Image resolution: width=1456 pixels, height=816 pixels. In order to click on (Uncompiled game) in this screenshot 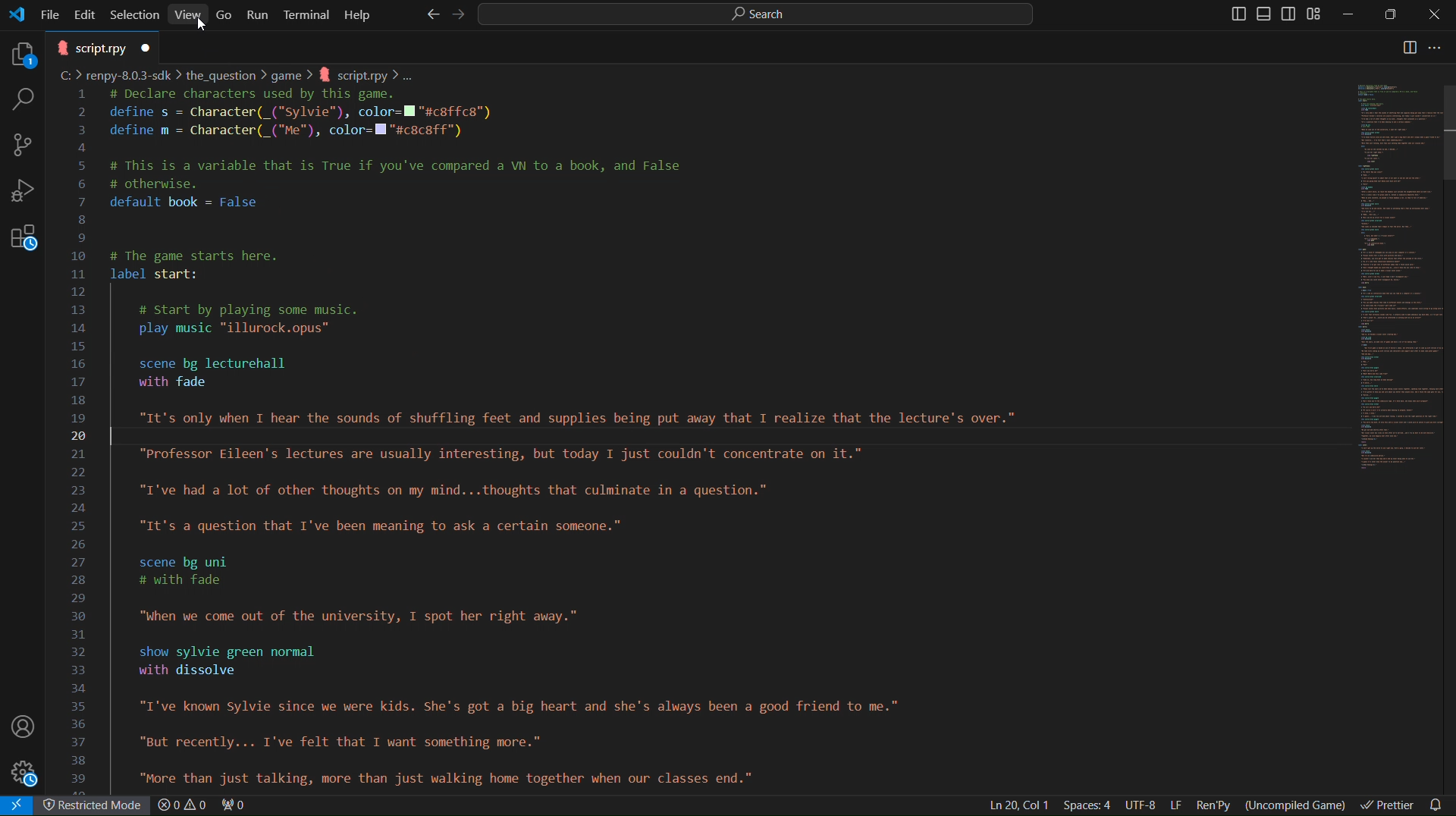, I will do `click(1298, 803)`.